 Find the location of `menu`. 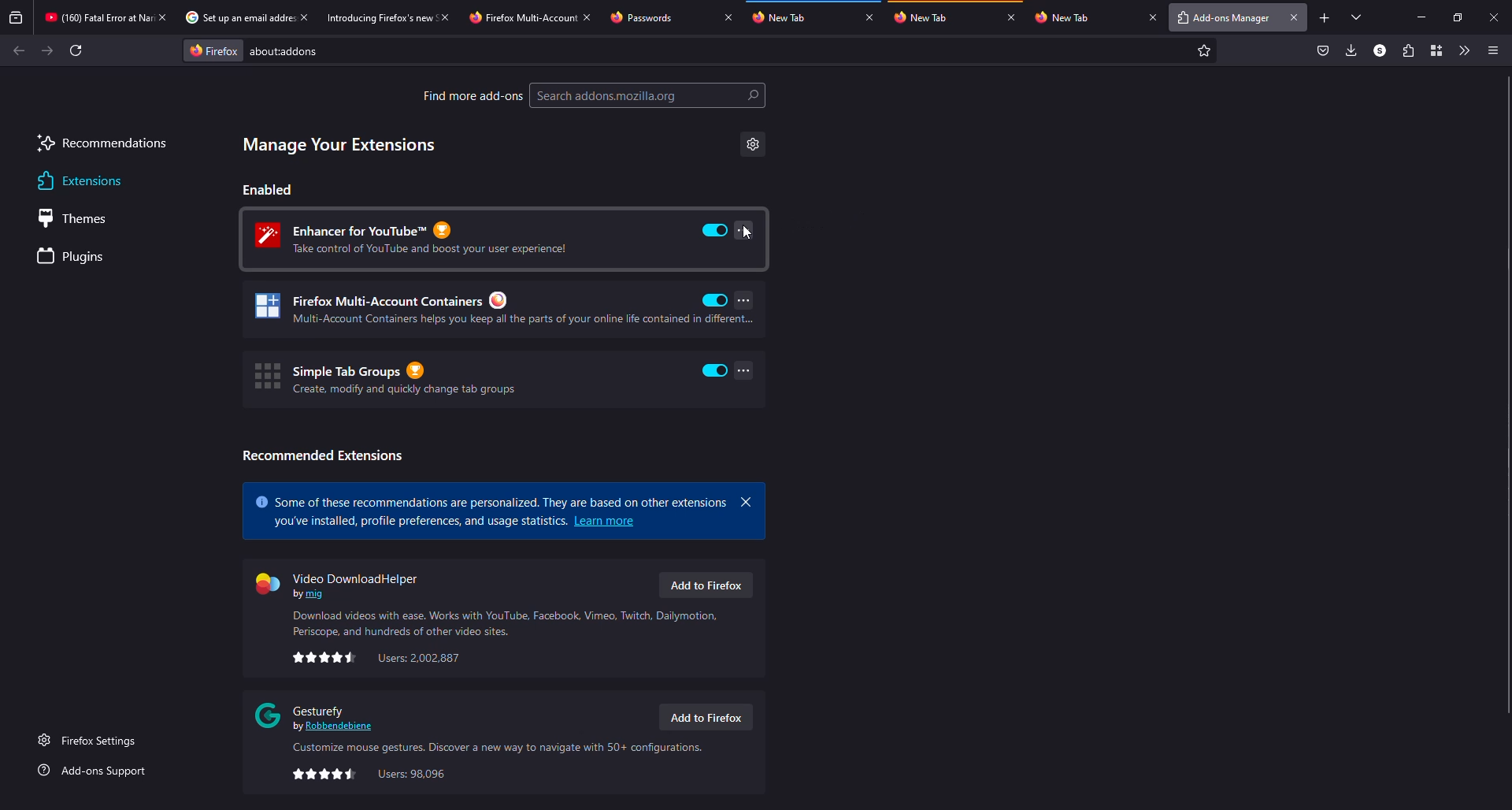

menu is located at coordinates (1492, 51).